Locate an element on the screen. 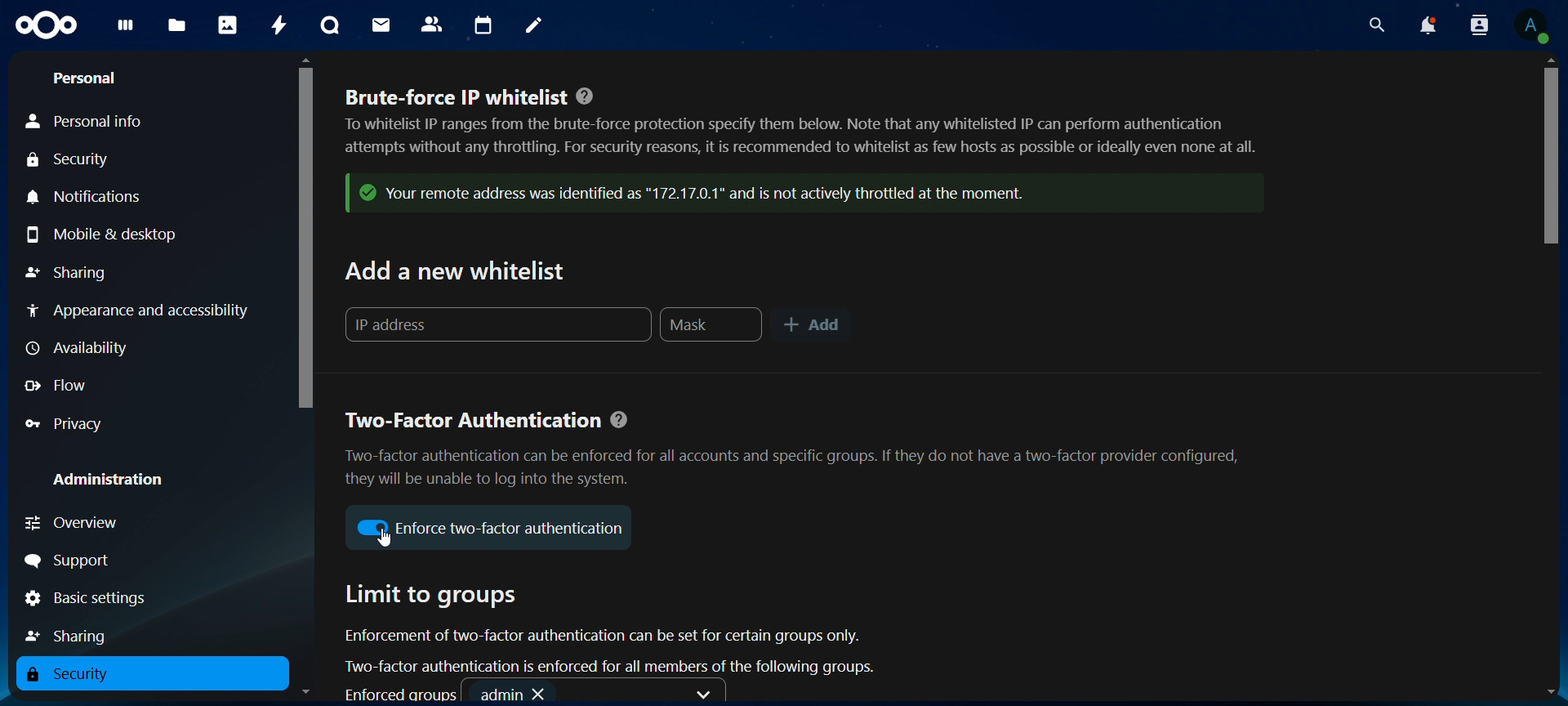 This screenshot has width=1568, height=706. enforce two factor authentication is located at coordinates (511, 529).